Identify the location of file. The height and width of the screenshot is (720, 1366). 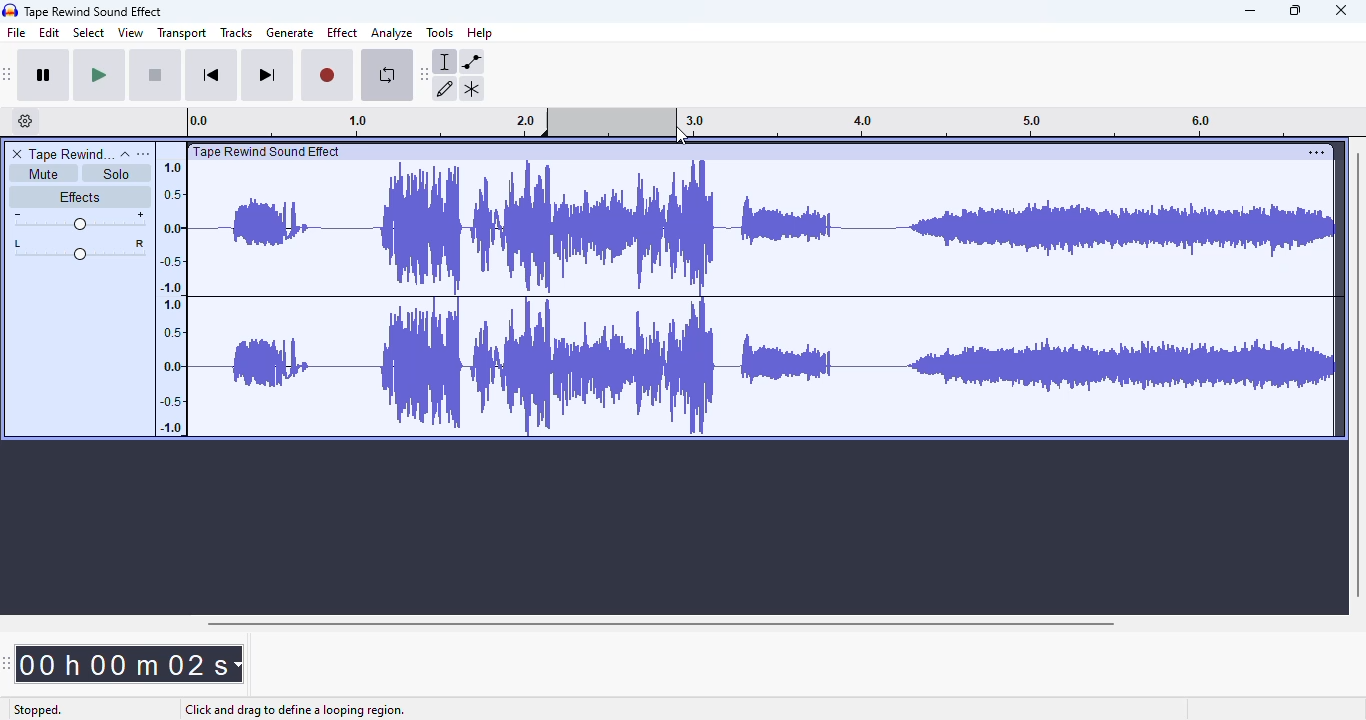
(16, 32).